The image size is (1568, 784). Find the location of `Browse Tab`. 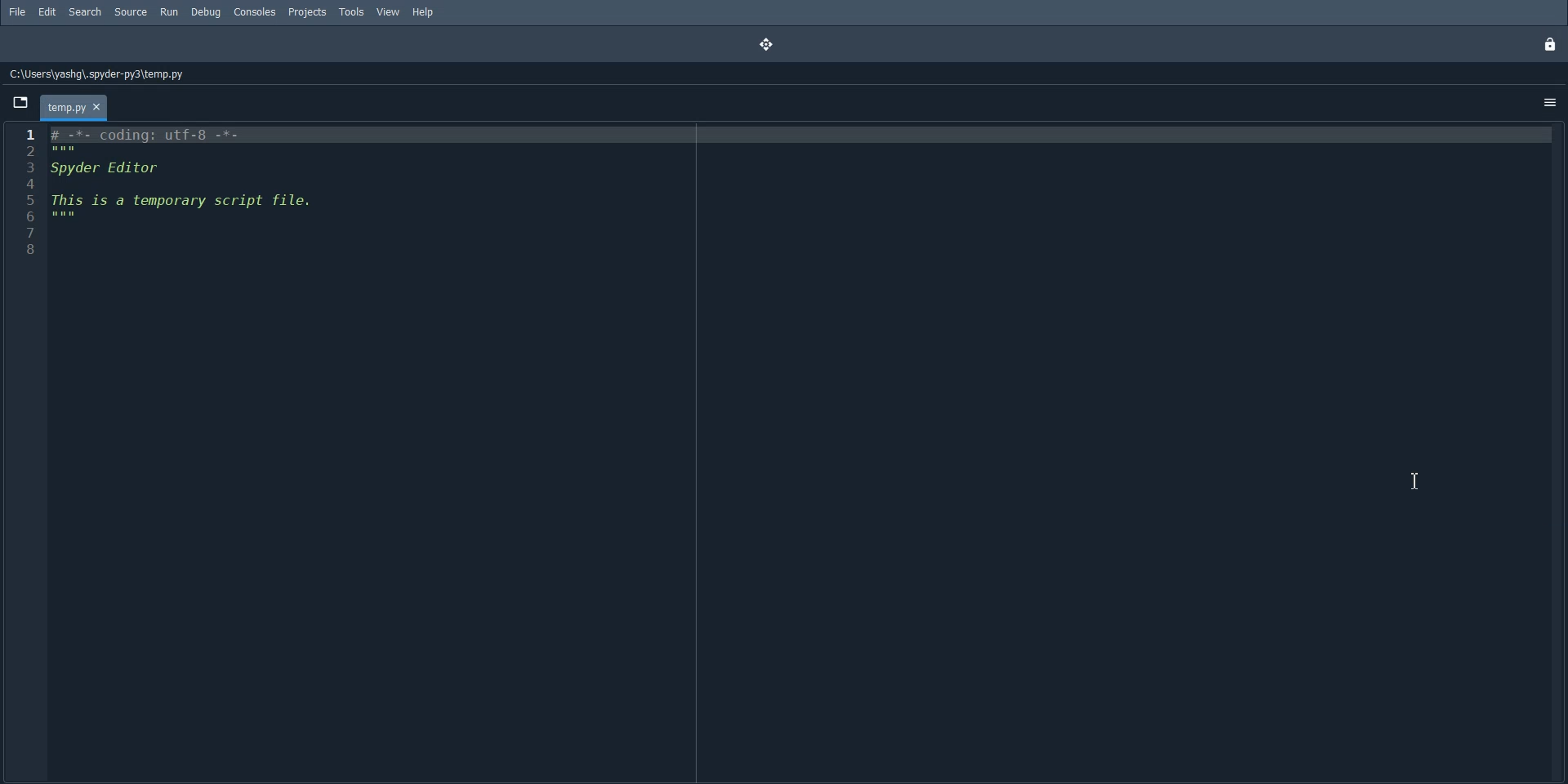

Browse Tab is located at coordinates (20, 100).